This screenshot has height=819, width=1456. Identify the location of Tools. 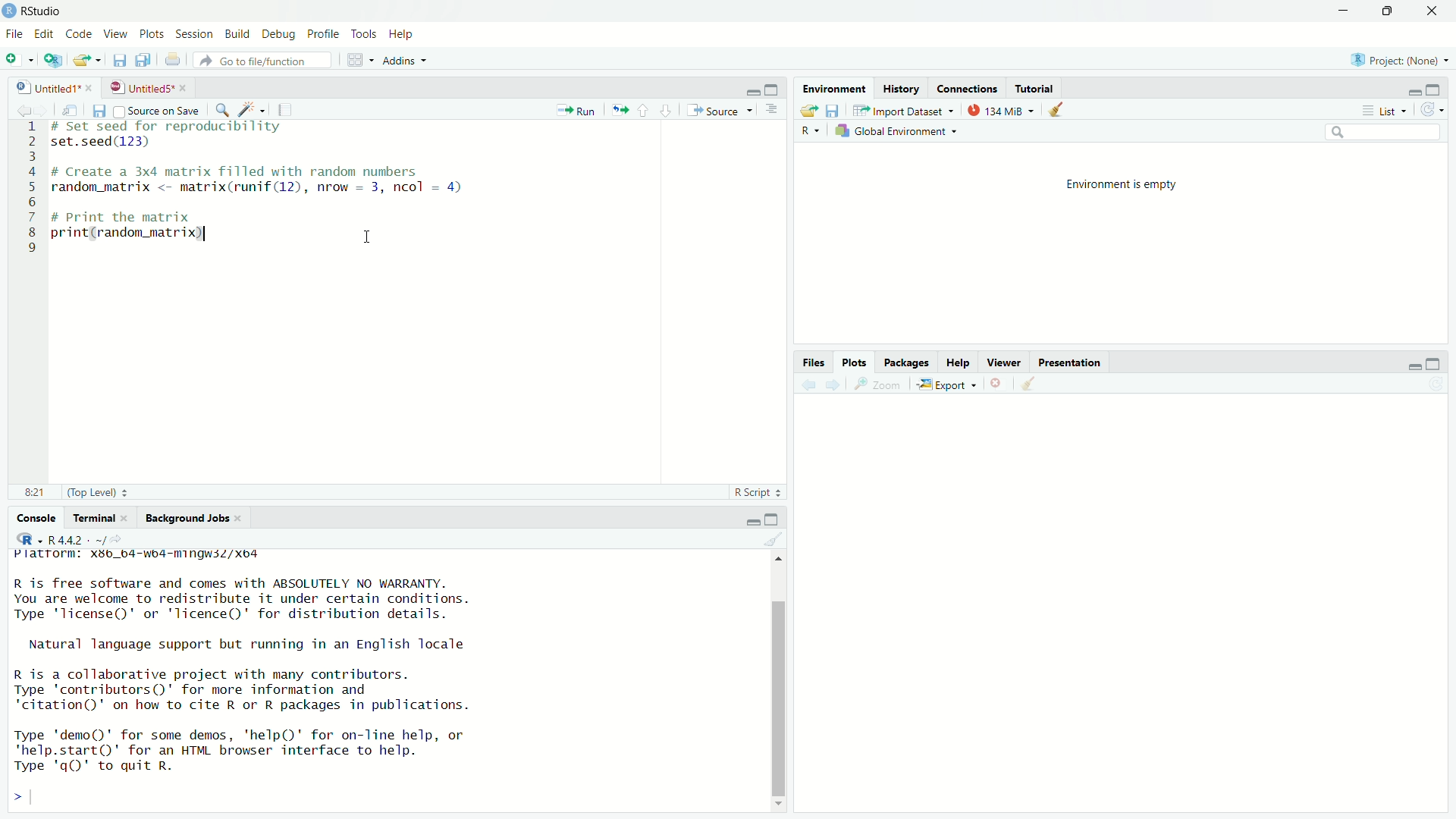
(362, 33).